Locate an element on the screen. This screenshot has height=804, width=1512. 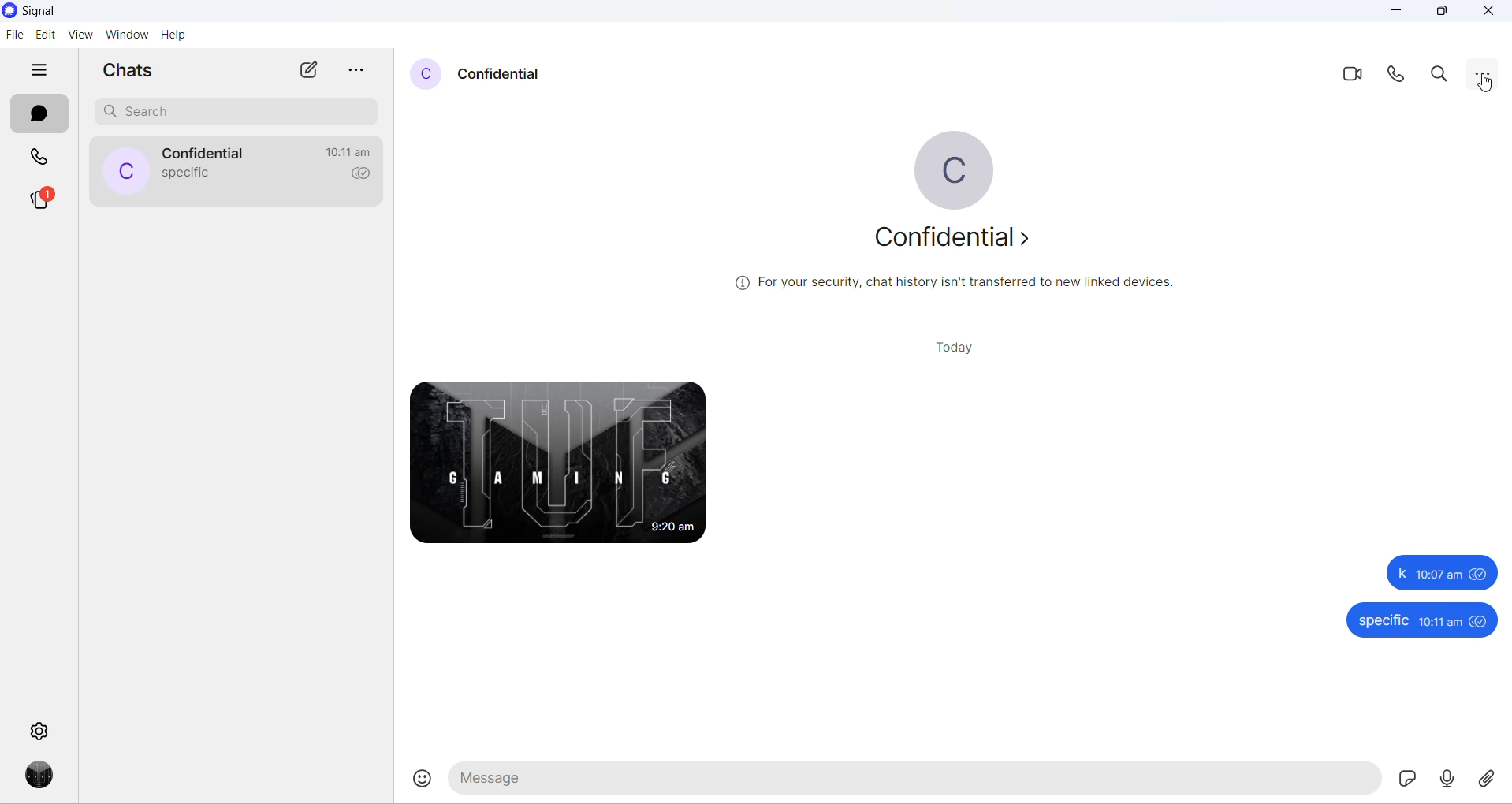
share attachments is located at coordinates (1492, 780).